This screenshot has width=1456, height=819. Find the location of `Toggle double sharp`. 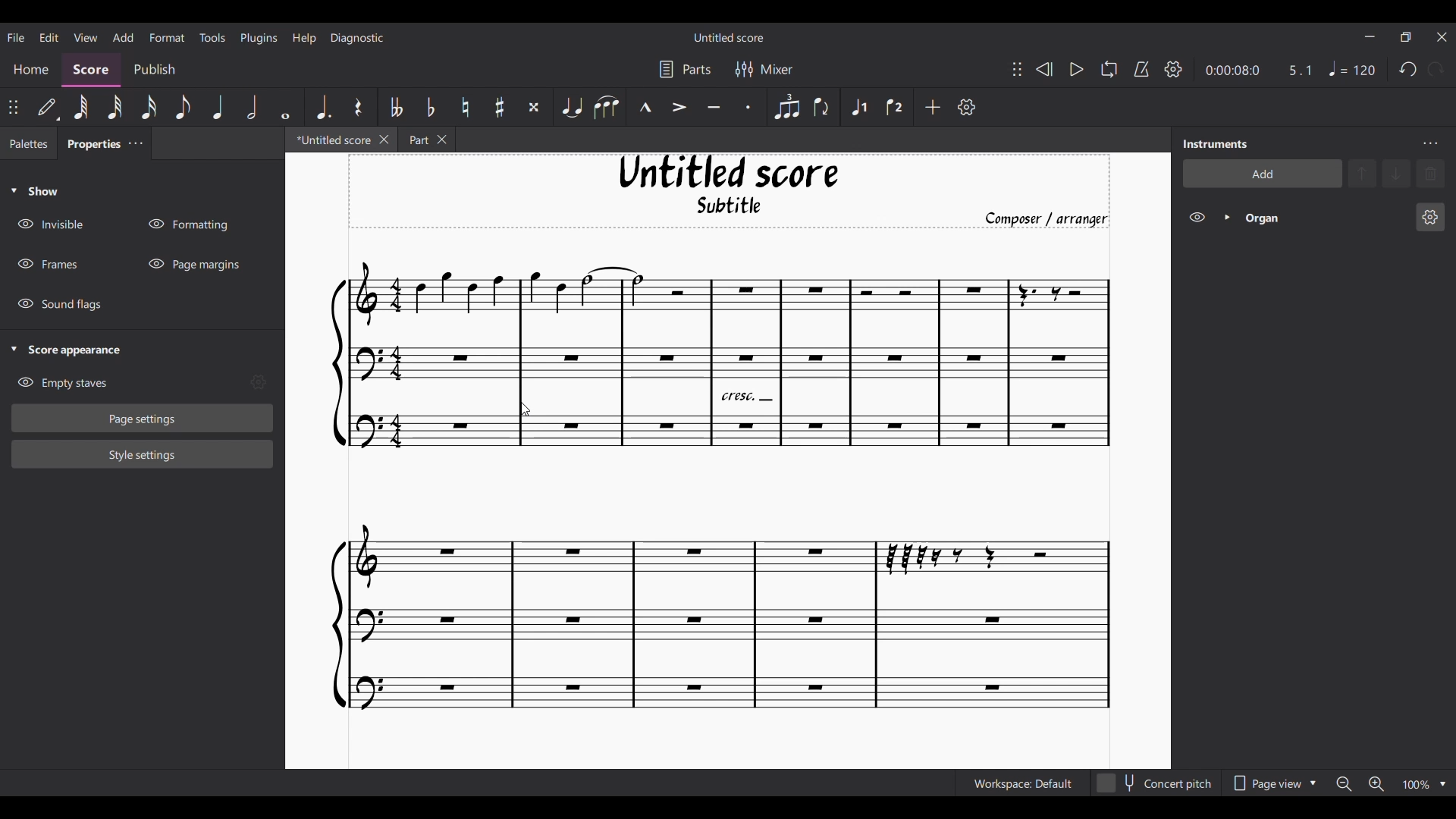

Toggle double sharp is located at coordinates (534, 108).